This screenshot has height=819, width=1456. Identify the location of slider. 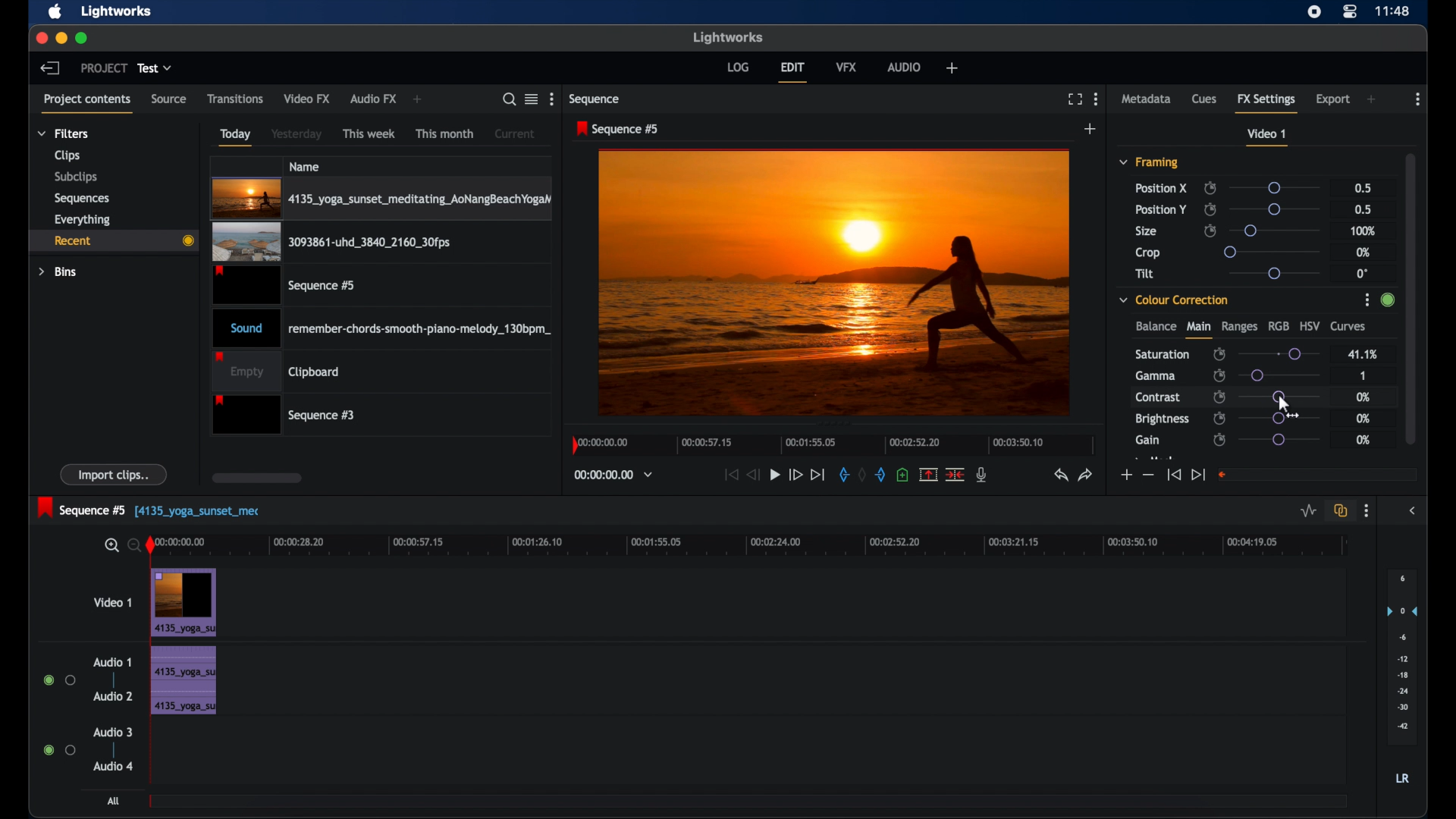
(1273, 251).